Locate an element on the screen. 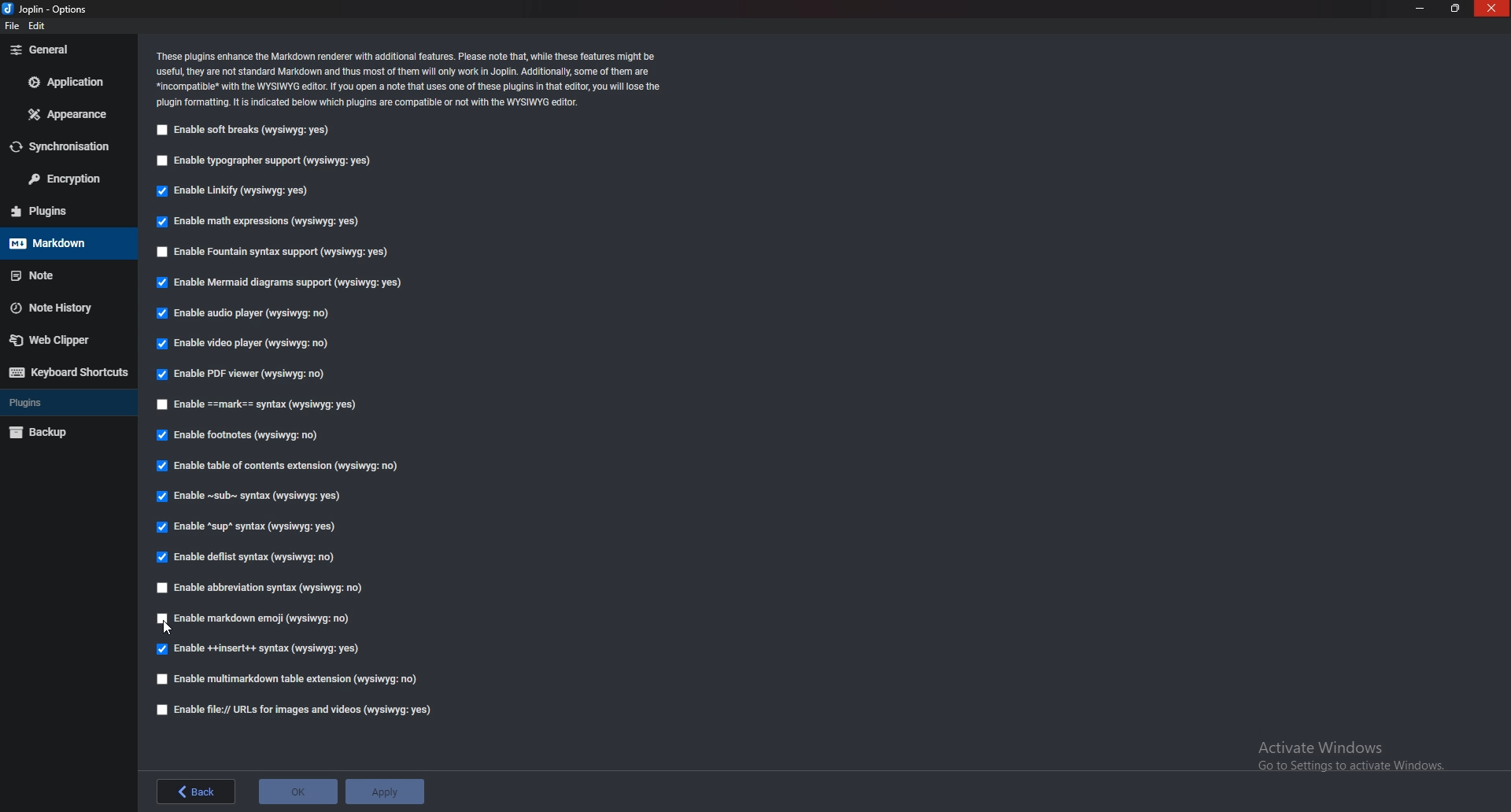 Image resolution: width=1511 pixels, height=812 pixels. minimize is located at coordinates (1423, 9).